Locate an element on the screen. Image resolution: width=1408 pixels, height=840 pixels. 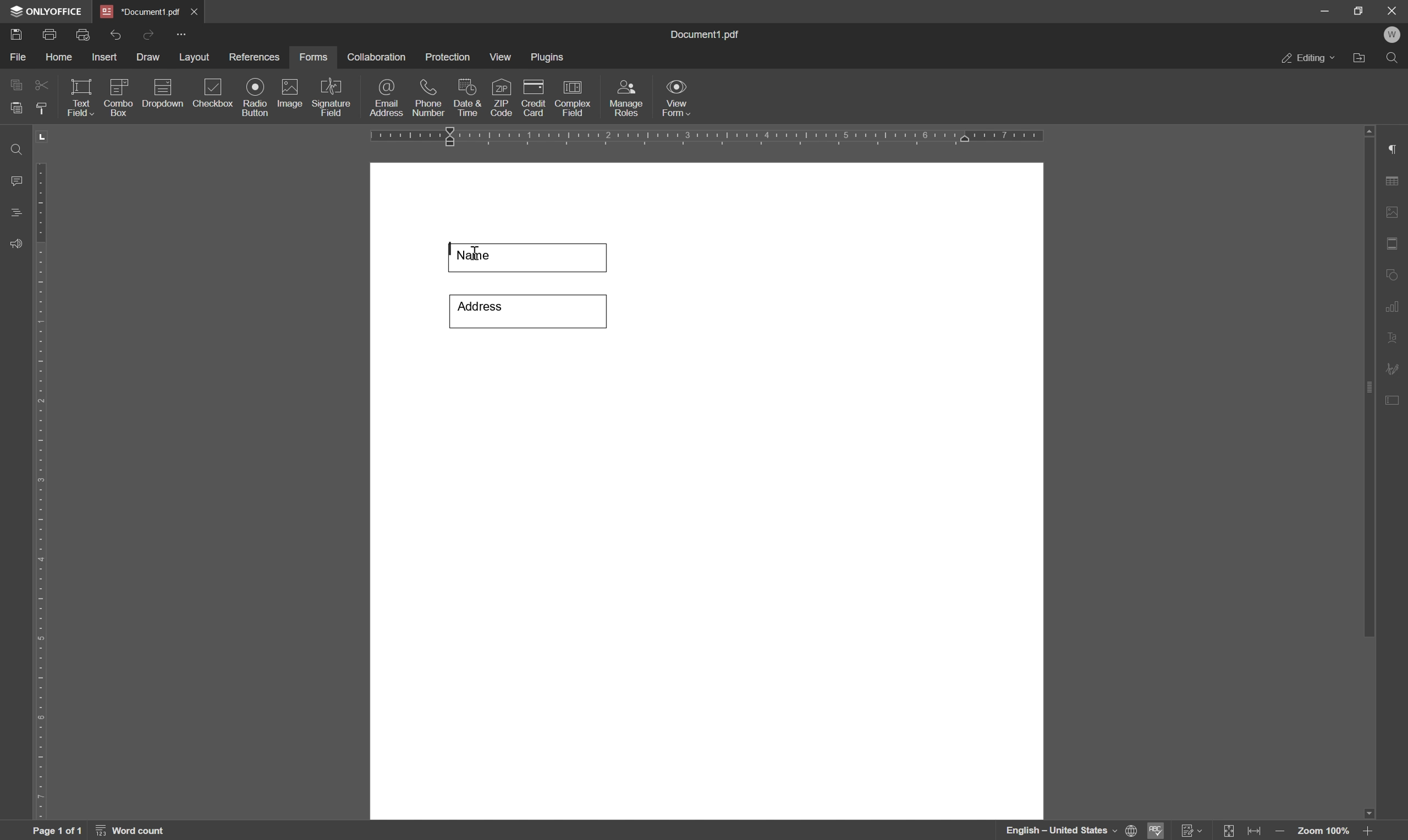
home is located at coordinates (62, 57).